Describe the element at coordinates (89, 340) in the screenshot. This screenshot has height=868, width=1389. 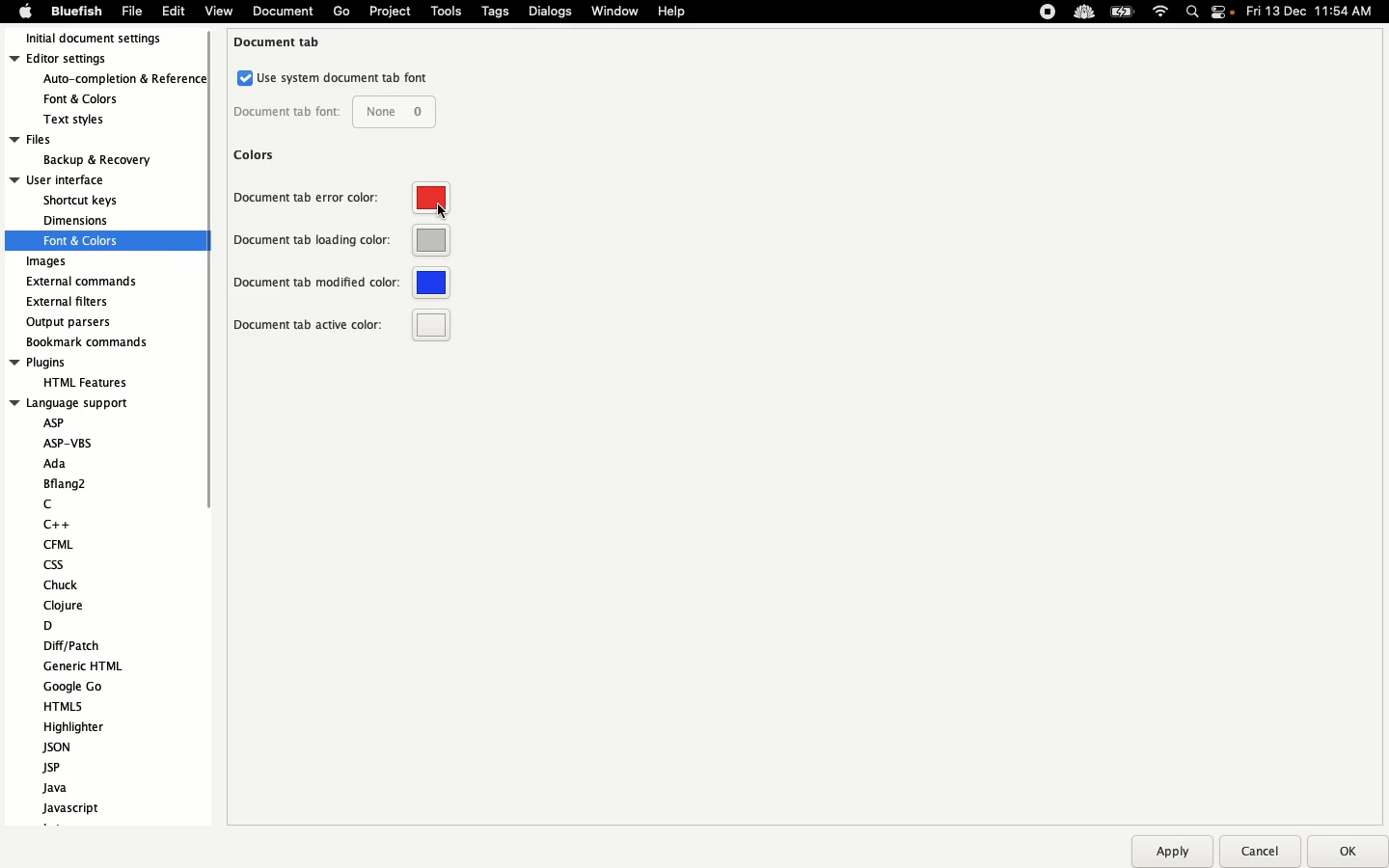
I see `Bookmark recommends` at that location.